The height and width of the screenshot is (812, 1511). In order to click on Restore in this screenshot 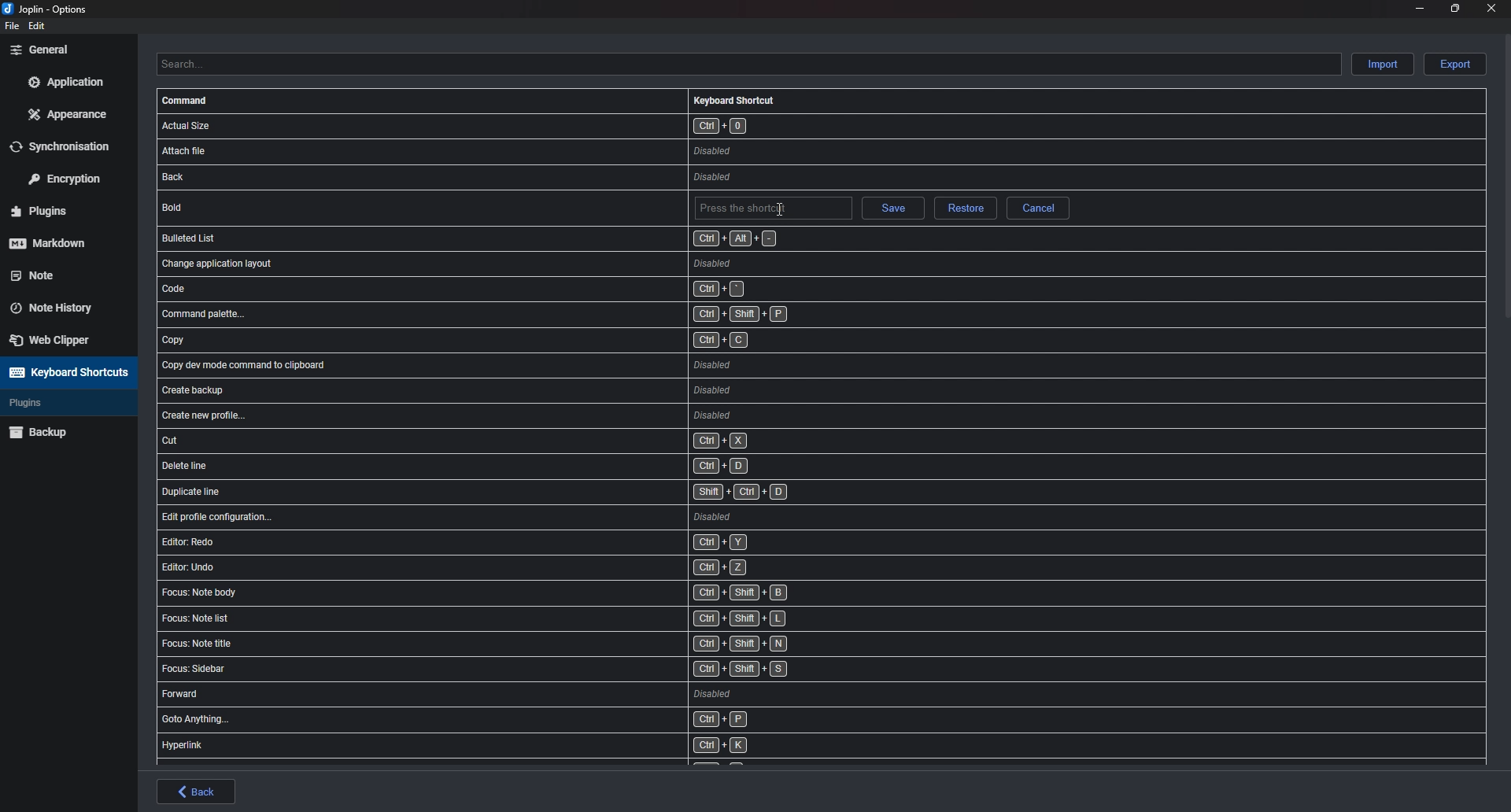, I will do `click(964, 209)`.